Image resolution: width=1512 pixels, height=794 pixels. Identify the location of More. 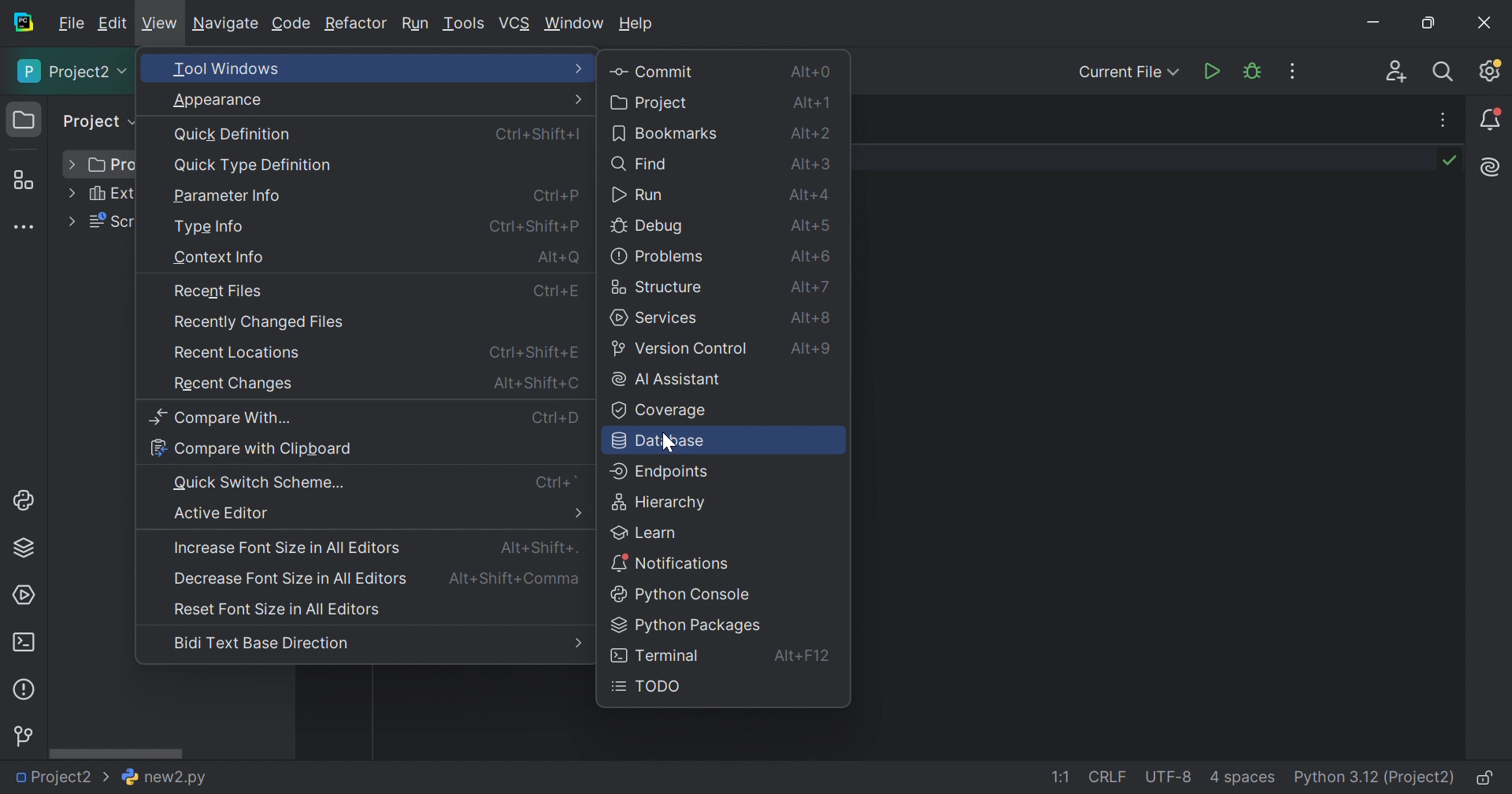
(73, 165).